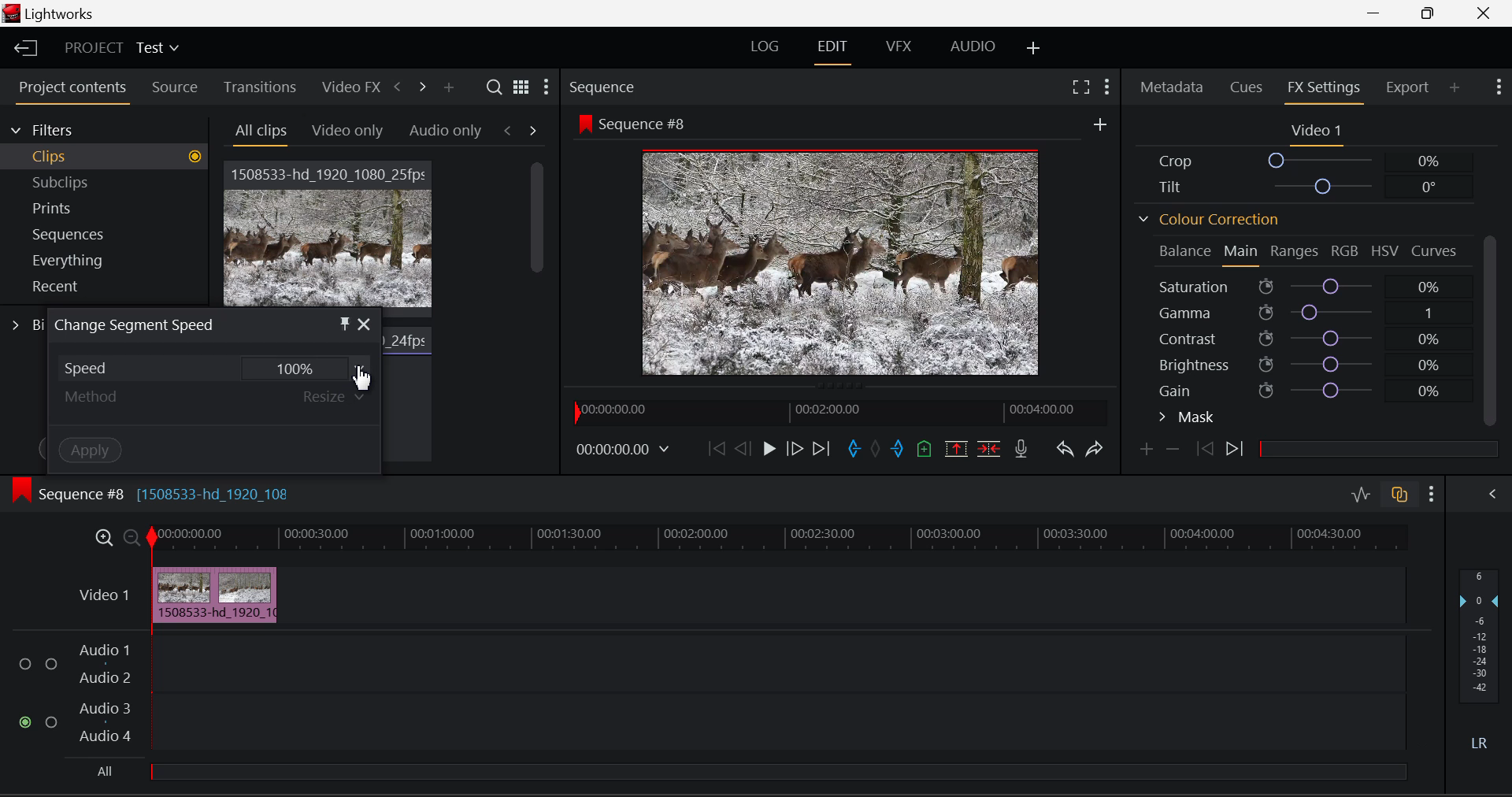 This screenshot has height=797, width=1512. What do you see at coordinates (93, 451) in the screenshot?
I see `Apply` at bounding box center [93, 451].